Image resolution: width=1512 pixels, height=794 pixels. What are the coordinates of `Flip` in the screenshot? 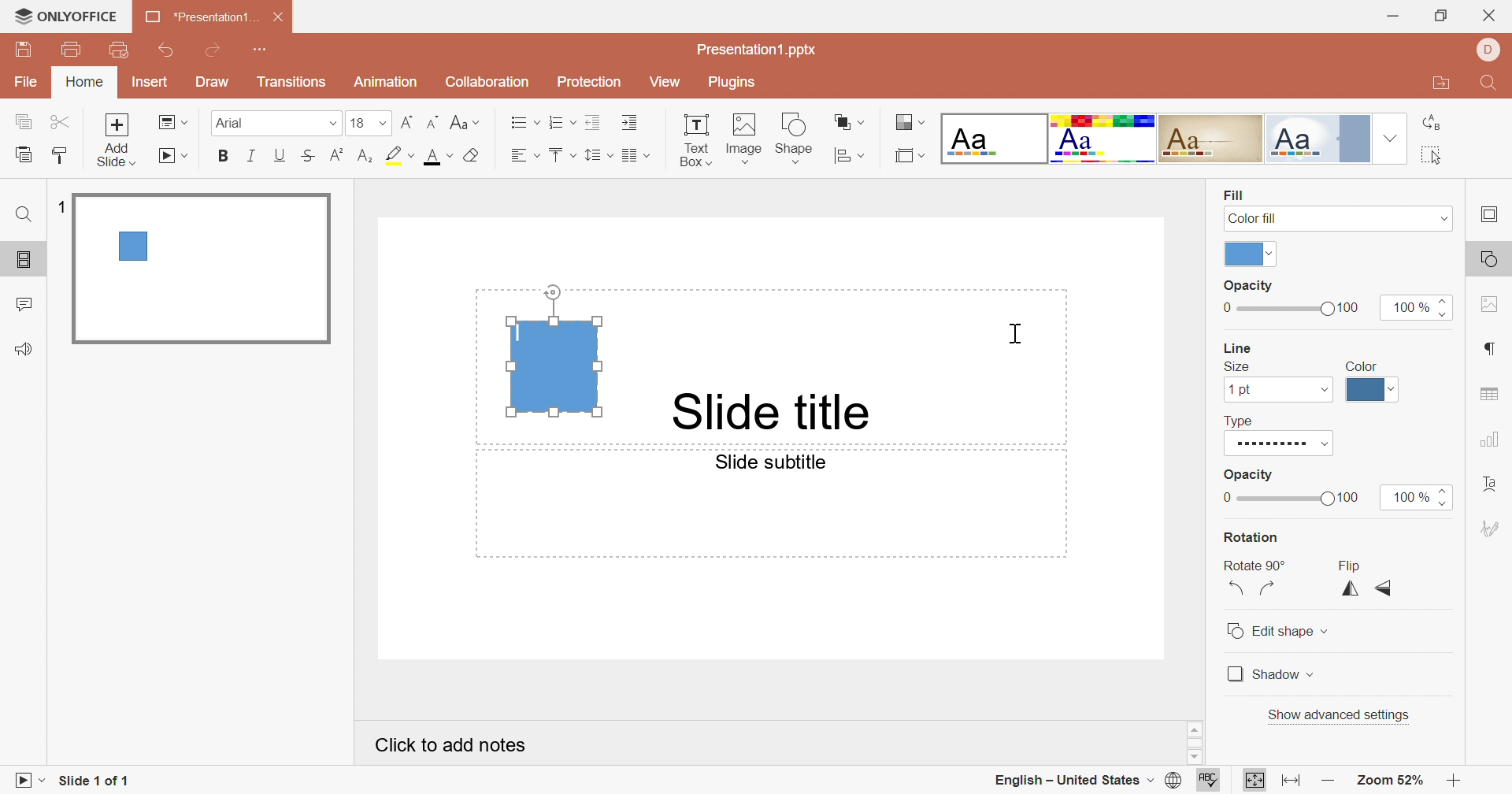 It's located at (1347, 565).